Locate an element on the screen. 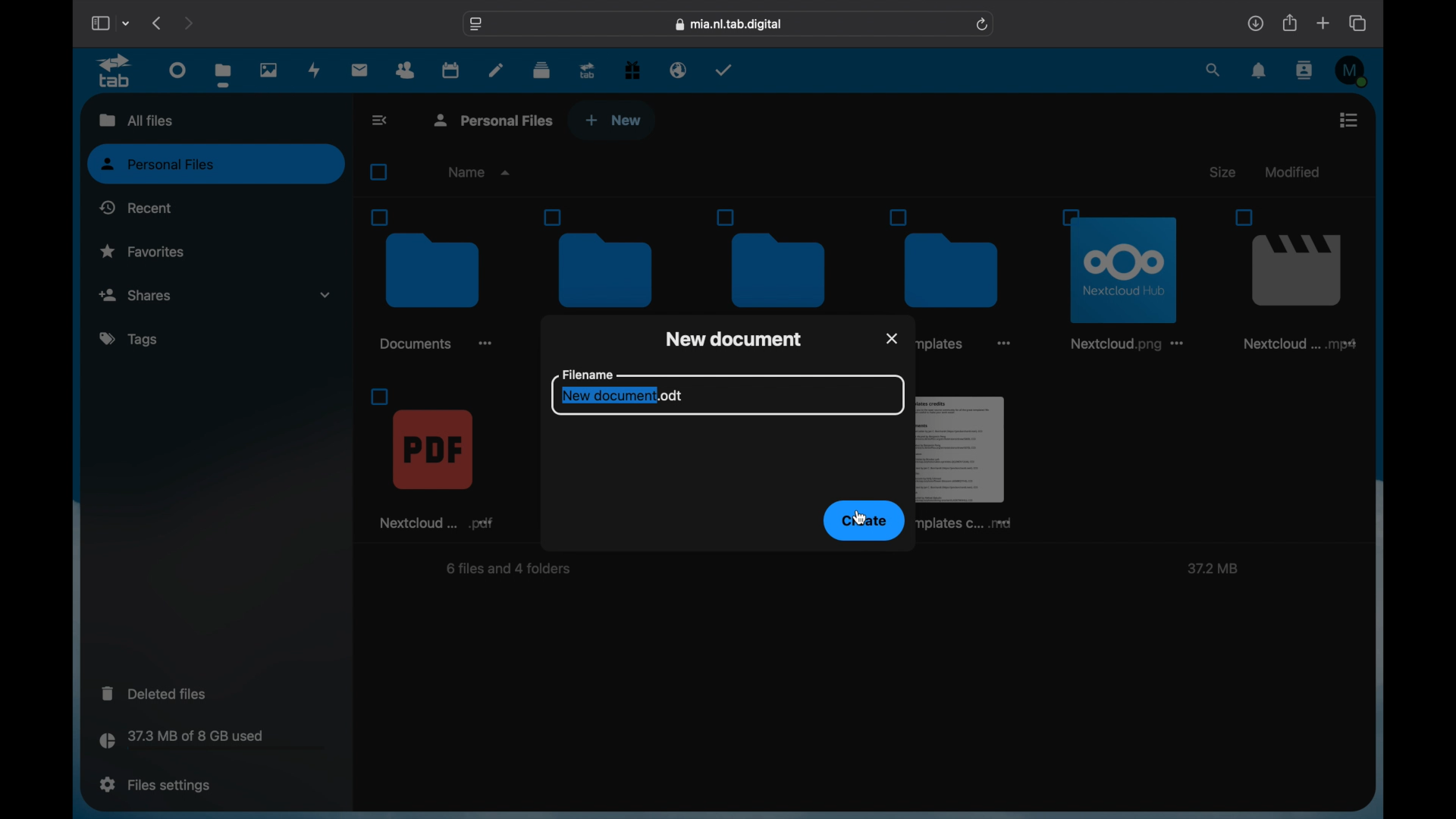 This screenshot has height=819, width=1456. search is located at coordinates (1214, 71).